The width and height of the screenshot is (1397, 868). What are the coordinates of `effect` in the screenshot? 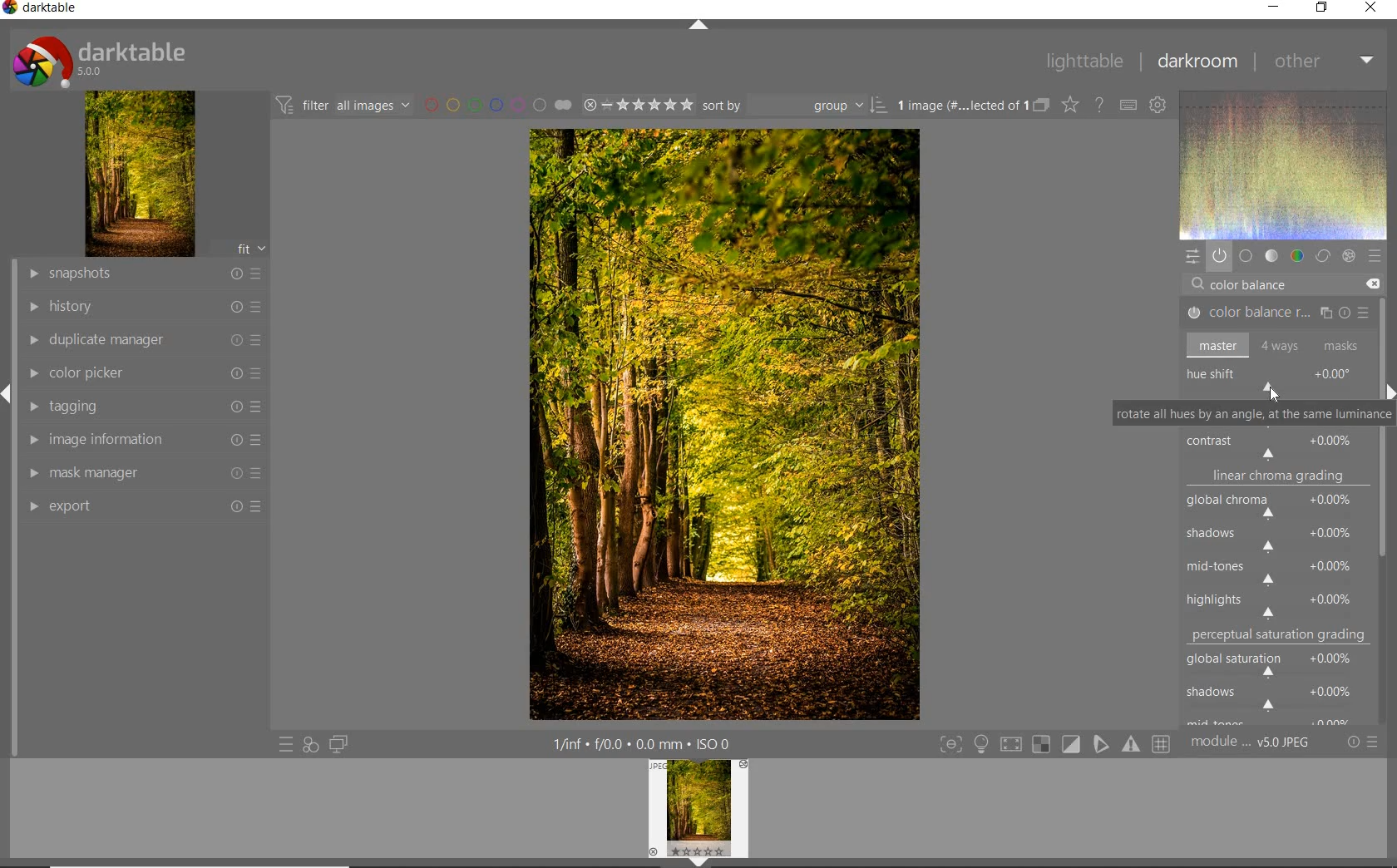 It's located at (1349, 254).